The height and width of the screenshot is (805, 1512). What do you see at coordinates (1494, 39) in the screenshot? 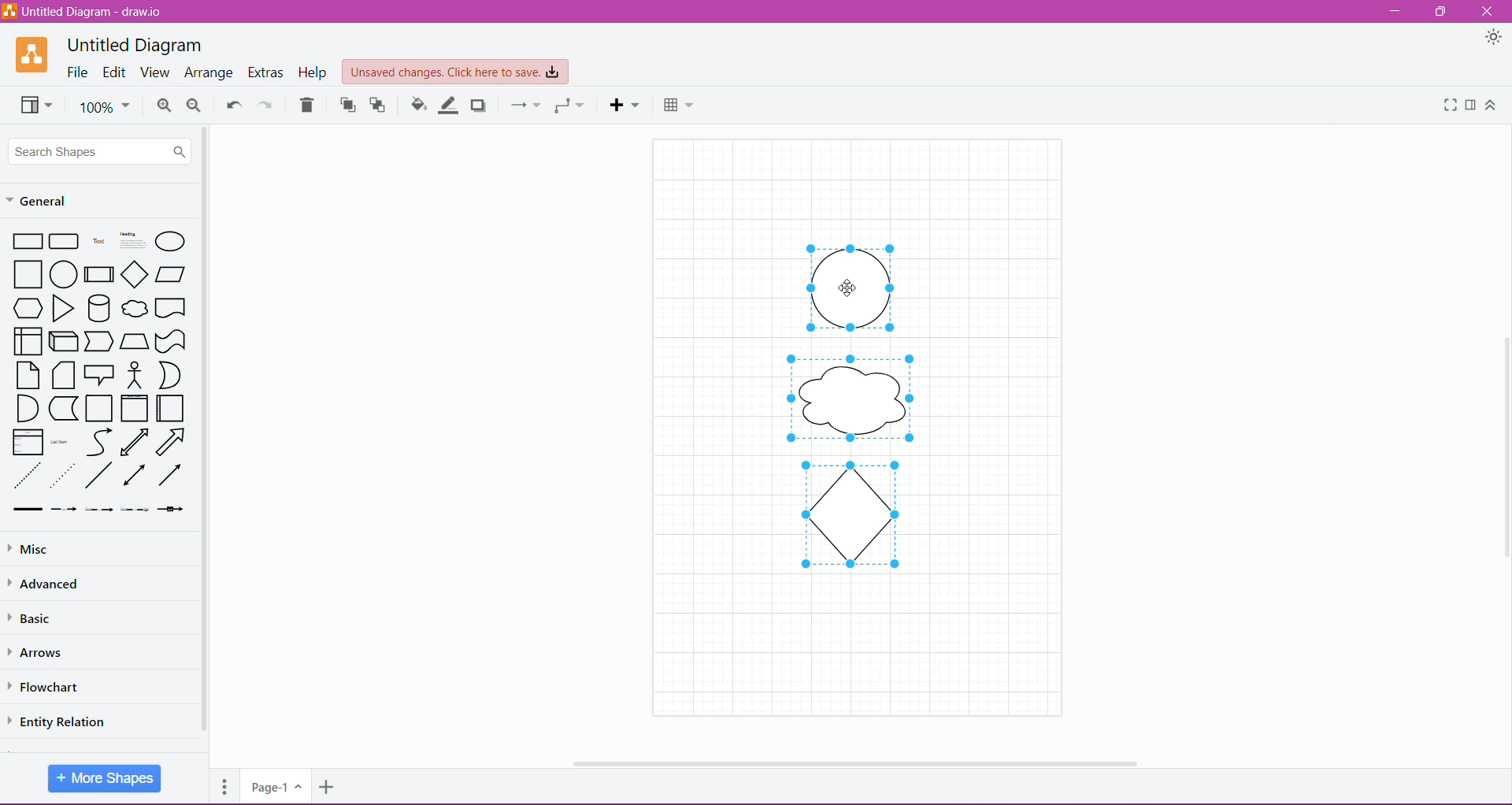
I see `Appearance` at bounding box center [1494, 39].